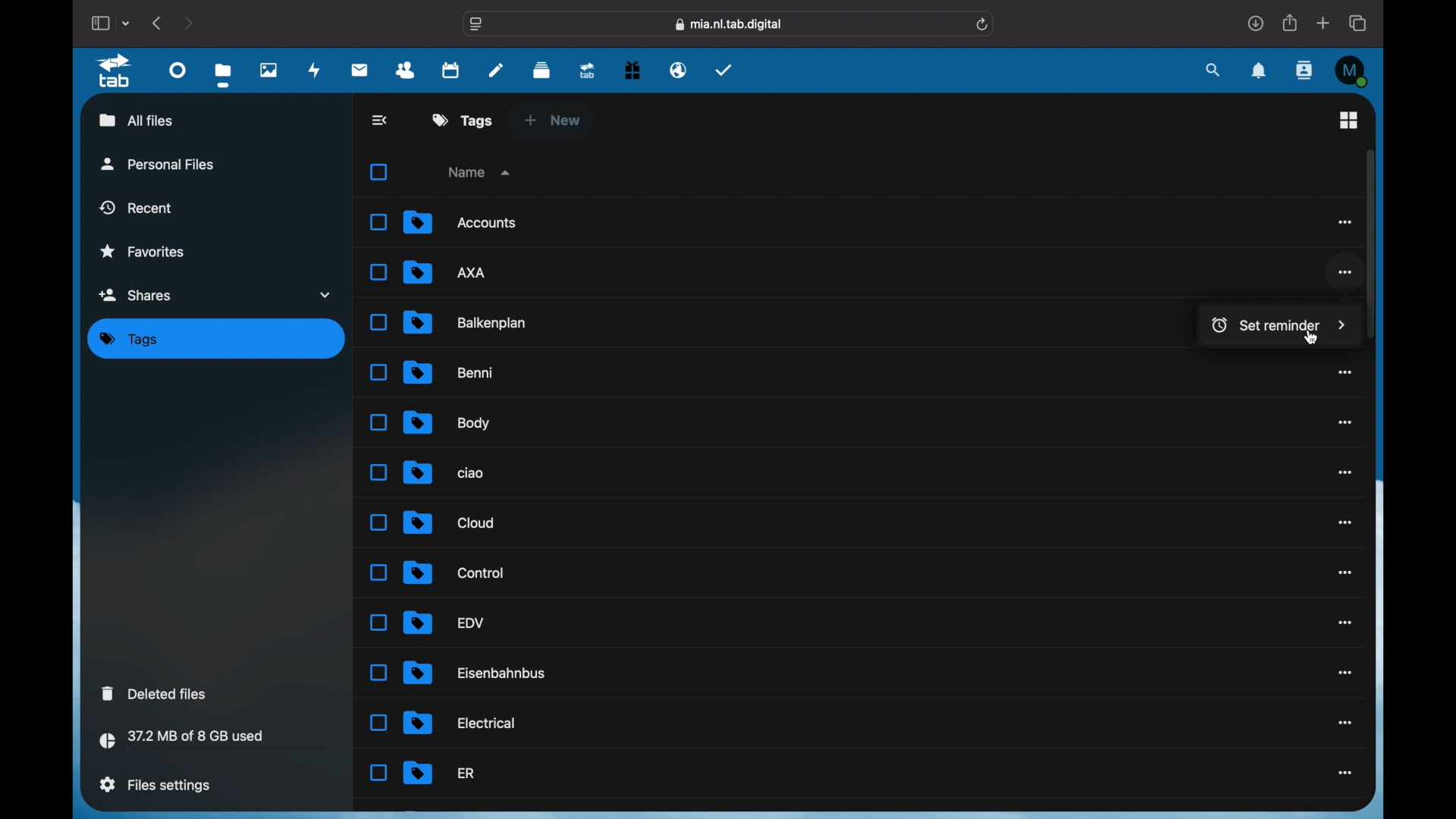  I want to click on notifications, so click(1260, 71).